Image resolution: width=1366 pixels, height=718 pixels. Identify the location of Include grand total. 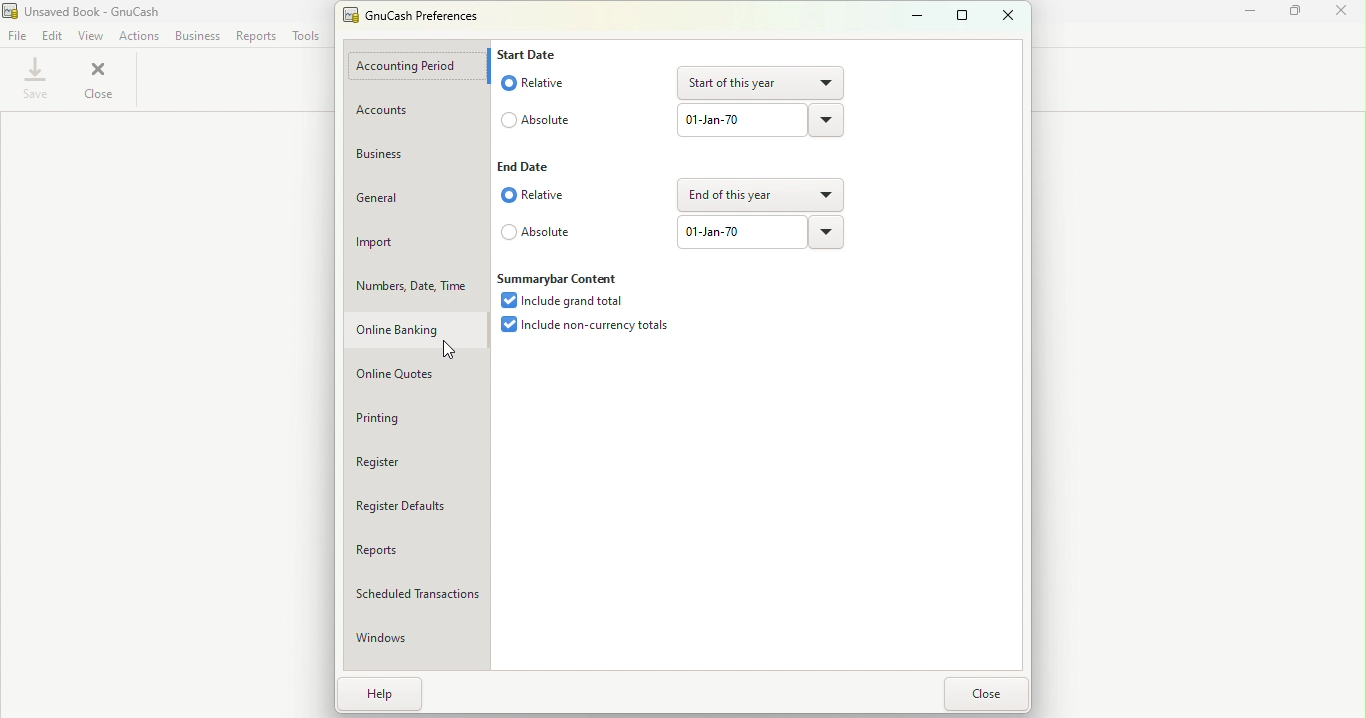
(569, 301).